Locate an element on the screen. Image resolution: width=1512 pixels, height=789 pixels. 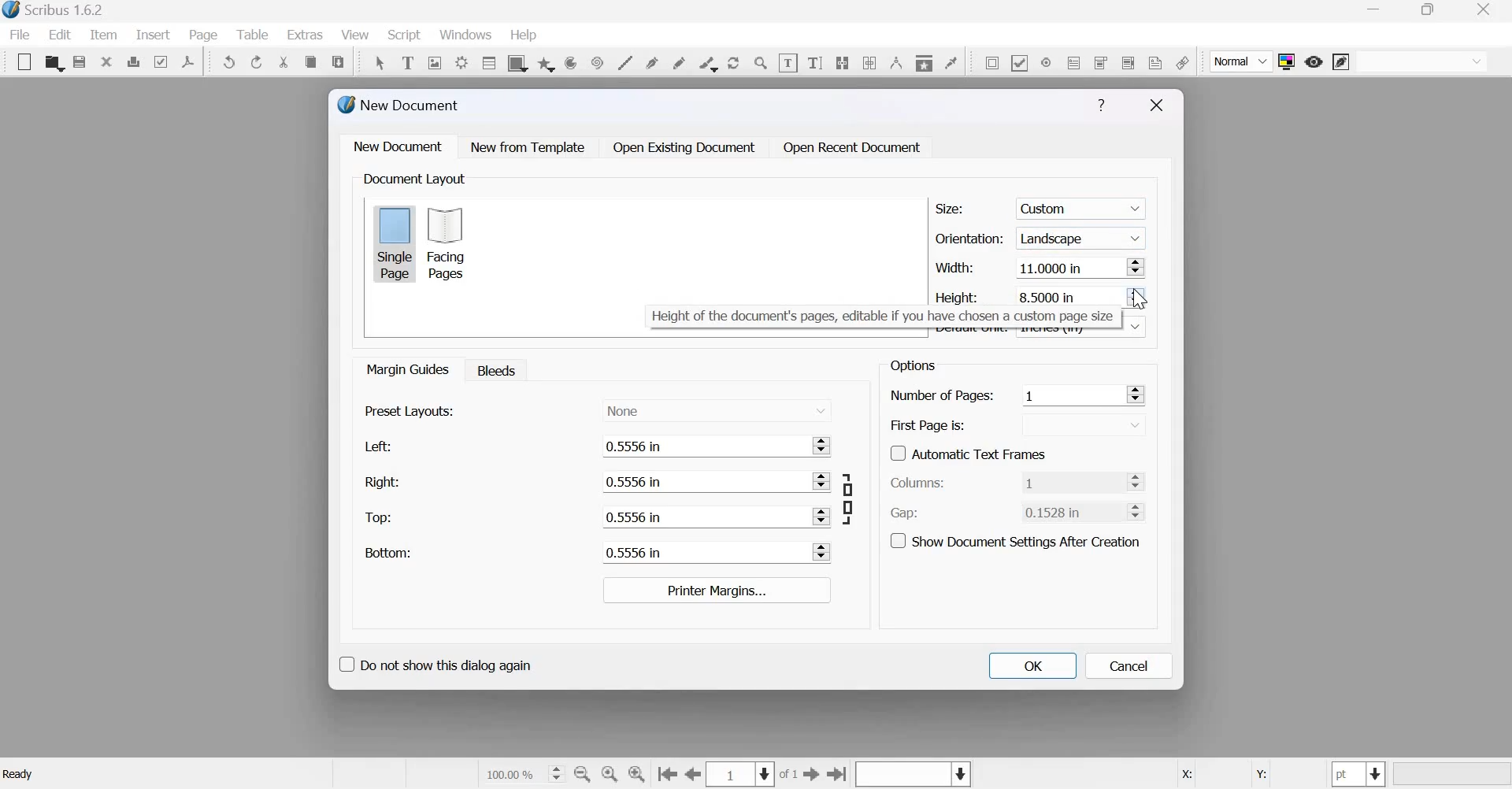
shape is located at coordinates (516, 62).